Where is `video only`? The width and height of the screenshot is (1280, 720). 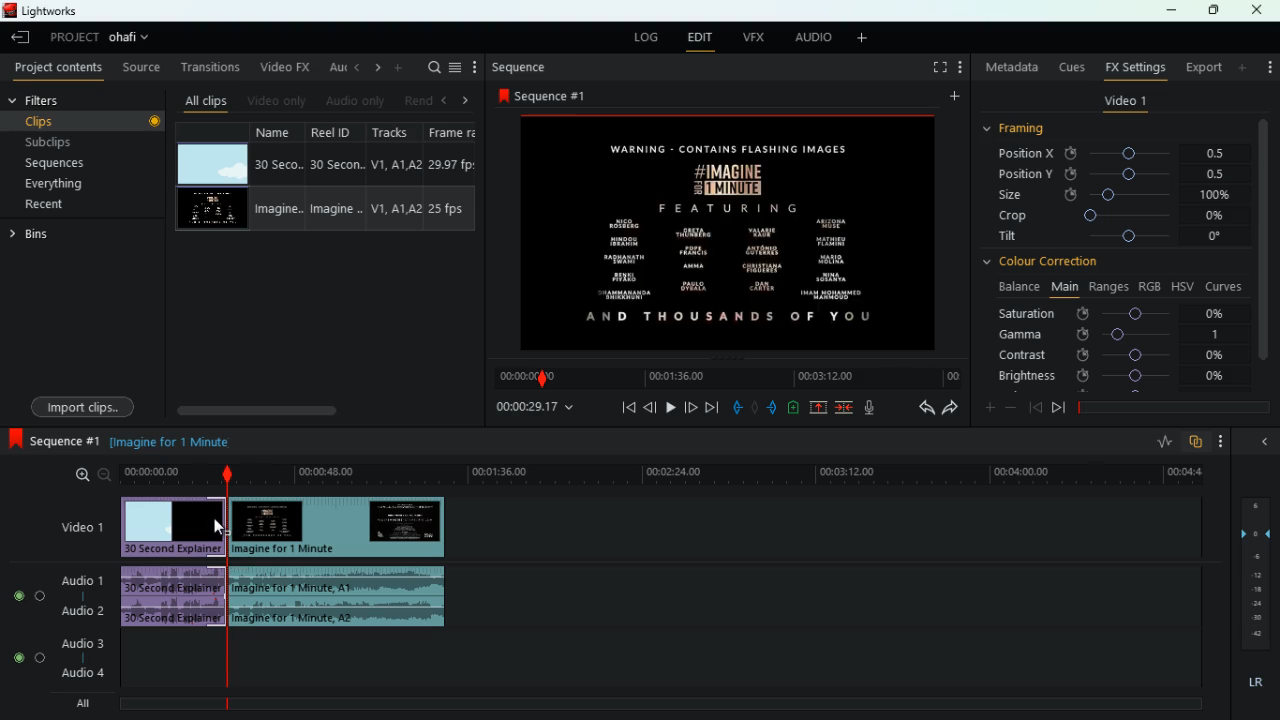 video only is located at coordinates (277, 100).